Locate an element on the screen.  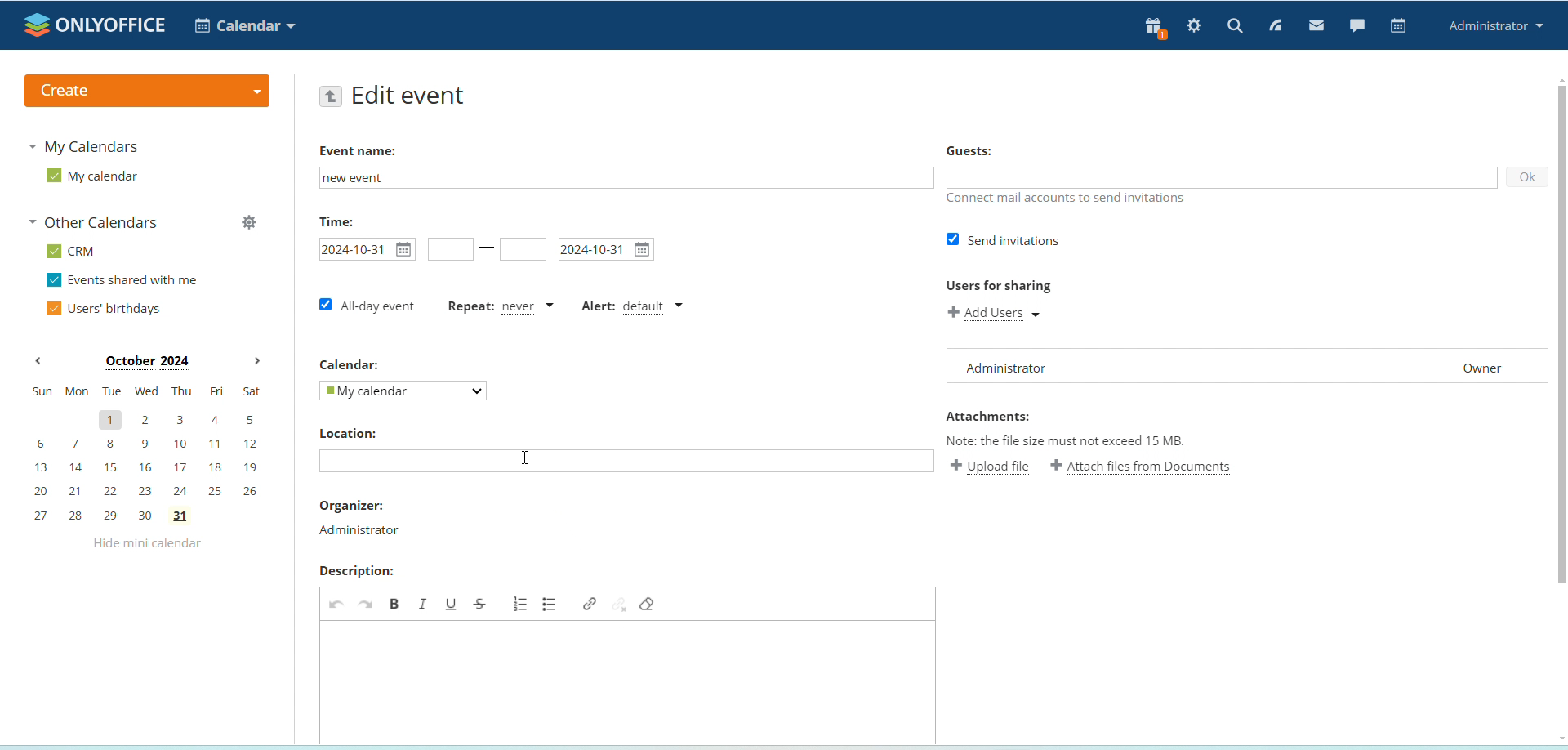
add users is located at coordinates (1000, 315).